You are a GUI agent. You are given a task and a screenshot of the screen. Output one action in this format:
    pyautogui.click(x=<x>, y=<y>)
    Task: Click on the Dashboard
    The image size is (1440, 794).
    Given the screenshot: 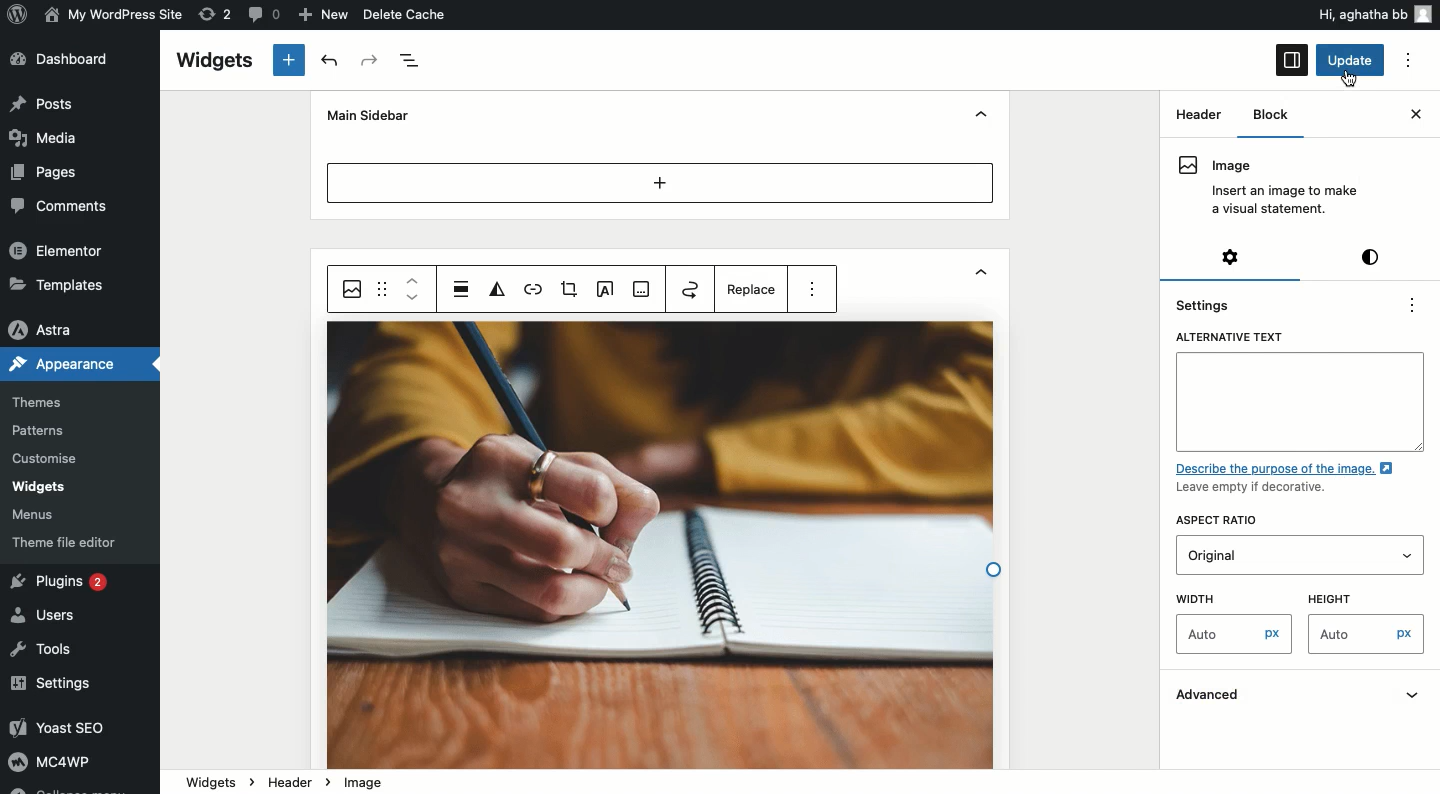 What is the action you would take?
    pyautogui.click(x=67, y=59)
    